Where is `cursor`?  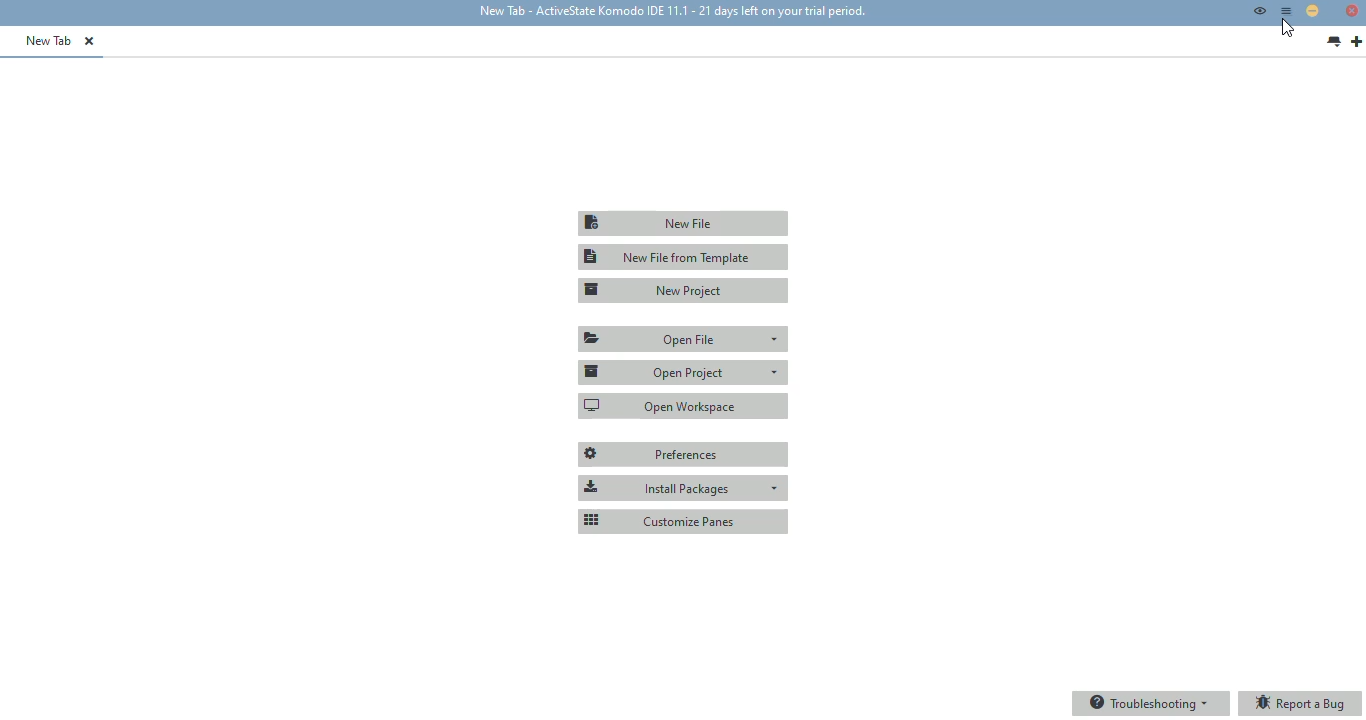 cursor is located at coordinates (1287, 28).